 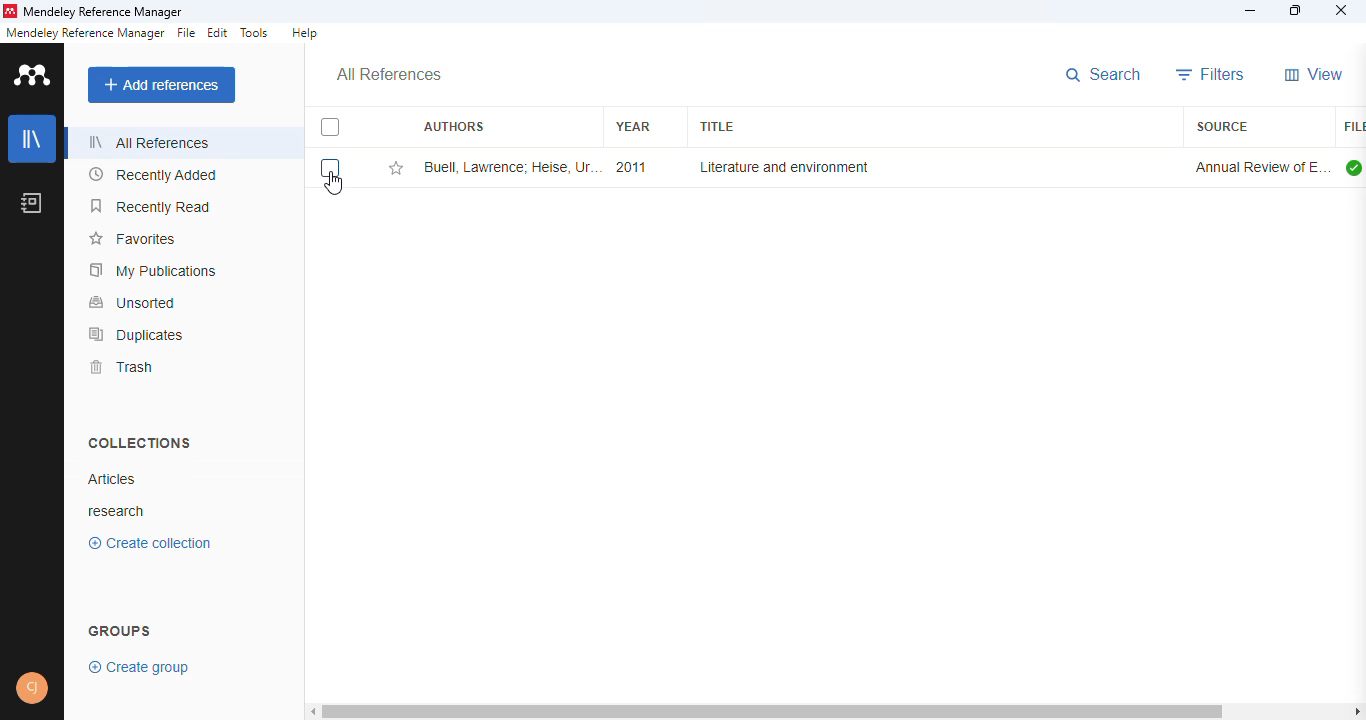 I want to click on favorites, so click(x=135, y=239).